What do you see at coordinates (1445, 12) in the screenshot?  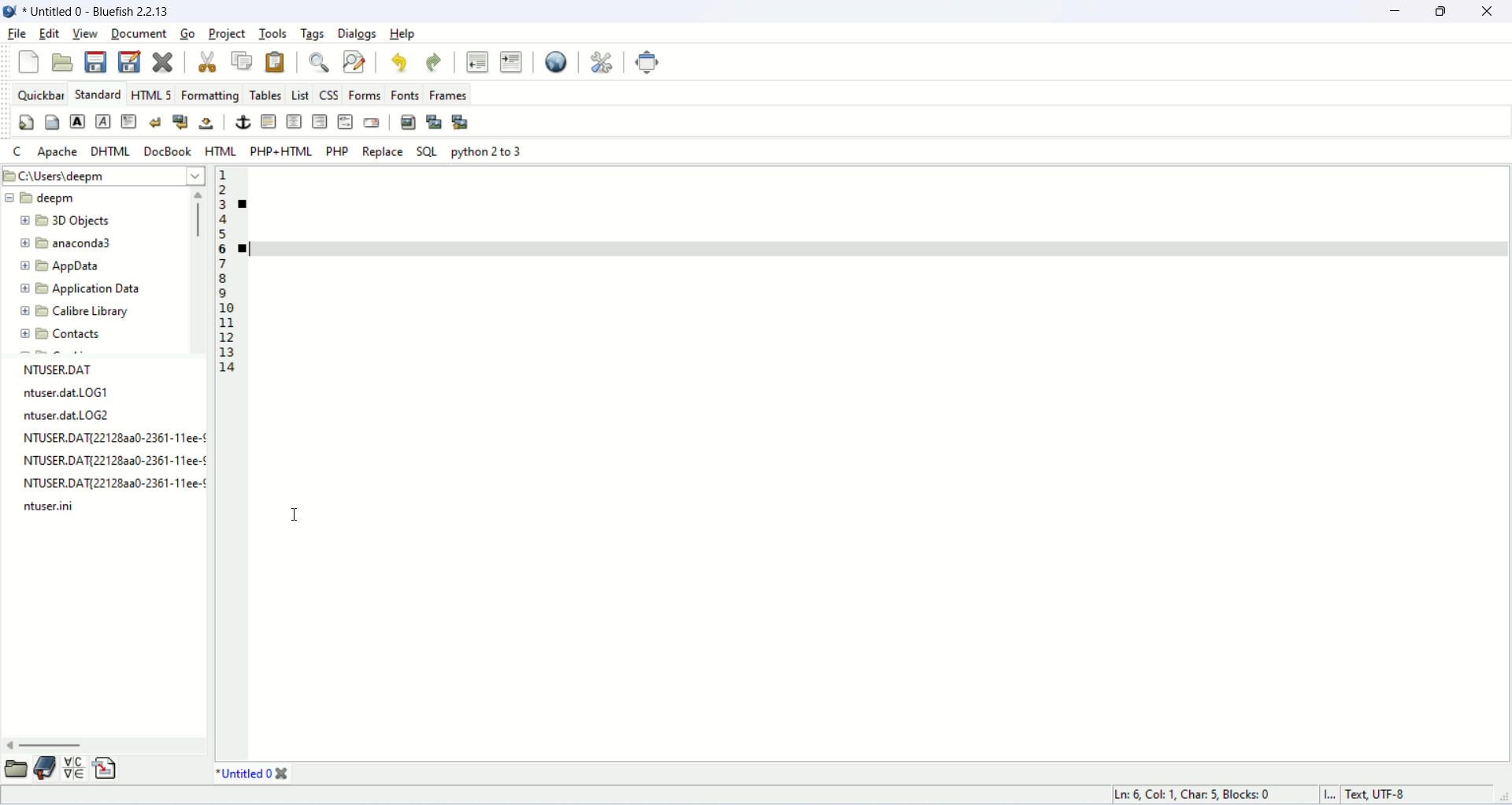 I see `maximize` at bounding box center [1445, 12].